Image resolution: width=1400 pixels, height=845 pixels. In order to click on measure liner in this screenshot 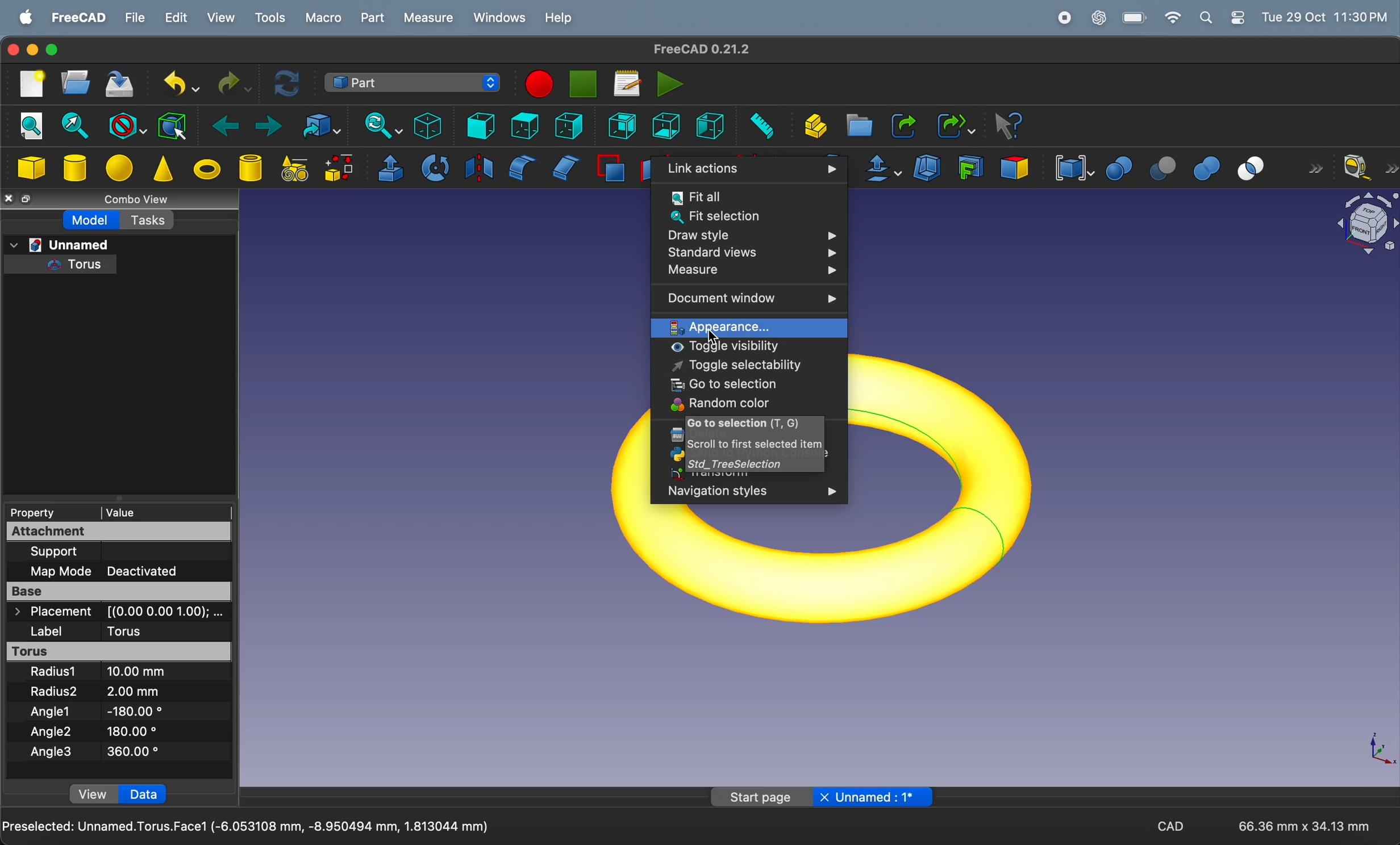, I will do `click(1370, 168)`.